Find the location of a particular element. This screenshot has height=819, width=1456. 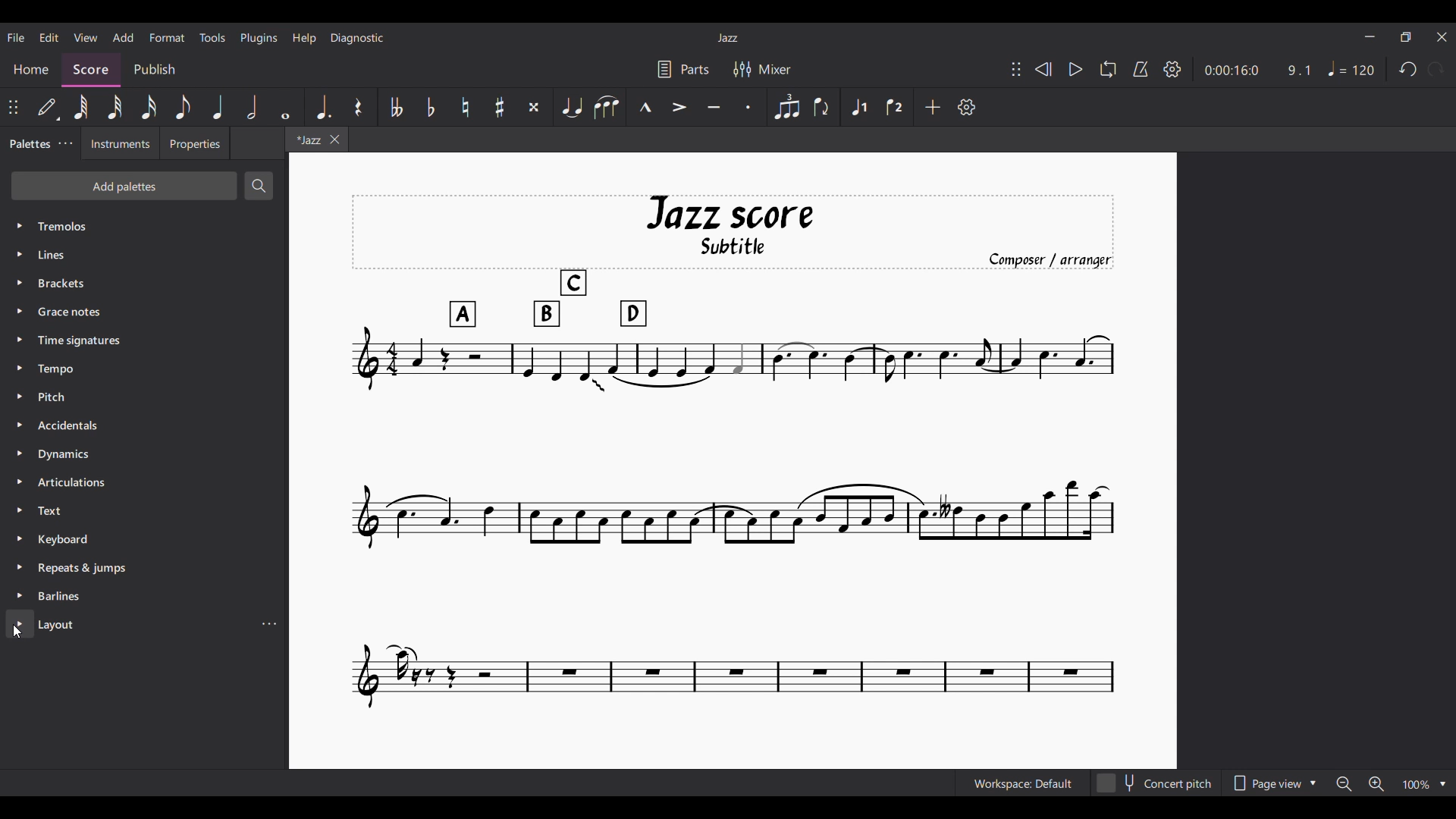

Voice 1 is located at coordinates (858, 107).